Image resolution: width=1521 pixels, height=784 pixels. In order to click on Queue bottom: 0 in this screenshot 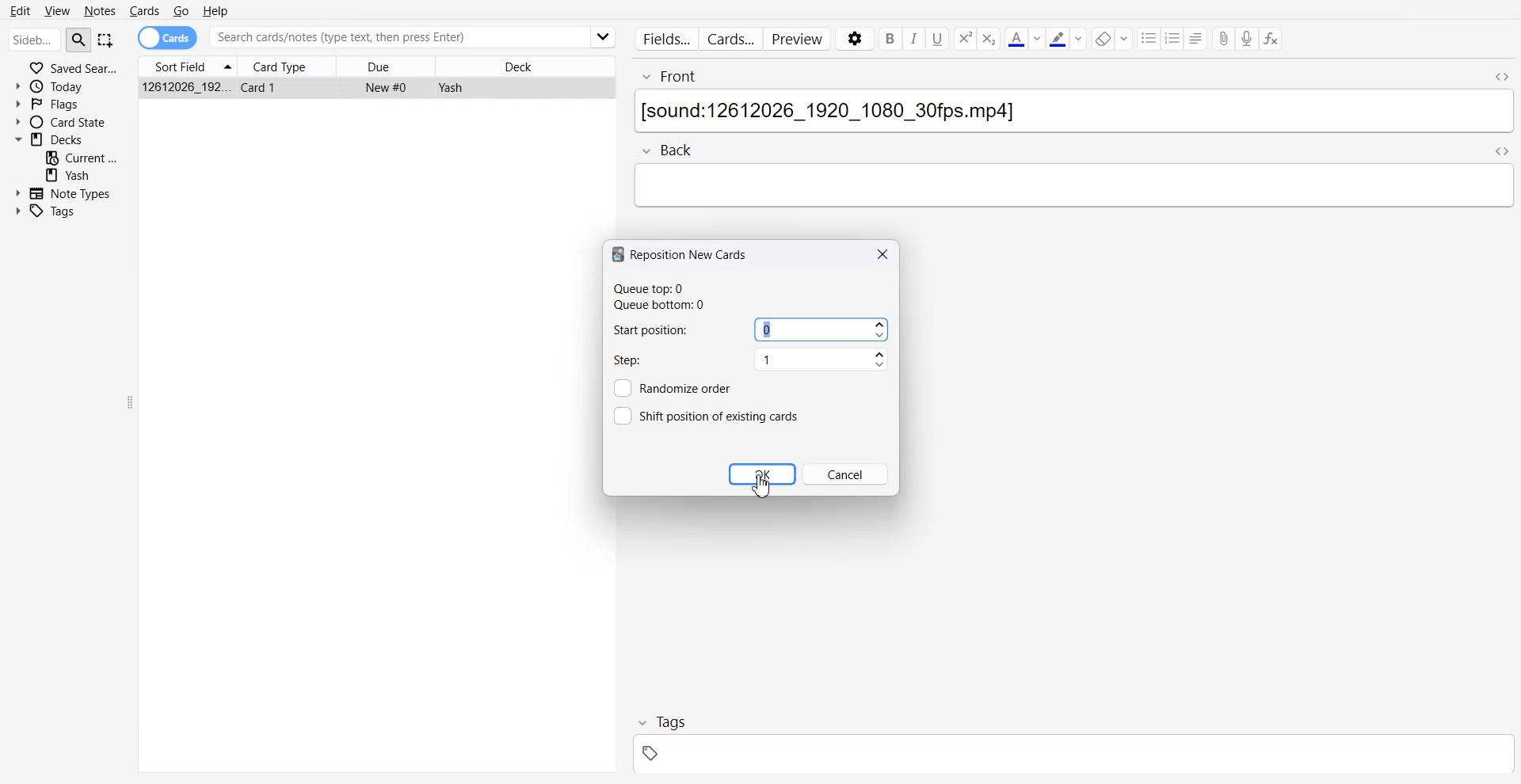, I will do `click(665, 306)`.